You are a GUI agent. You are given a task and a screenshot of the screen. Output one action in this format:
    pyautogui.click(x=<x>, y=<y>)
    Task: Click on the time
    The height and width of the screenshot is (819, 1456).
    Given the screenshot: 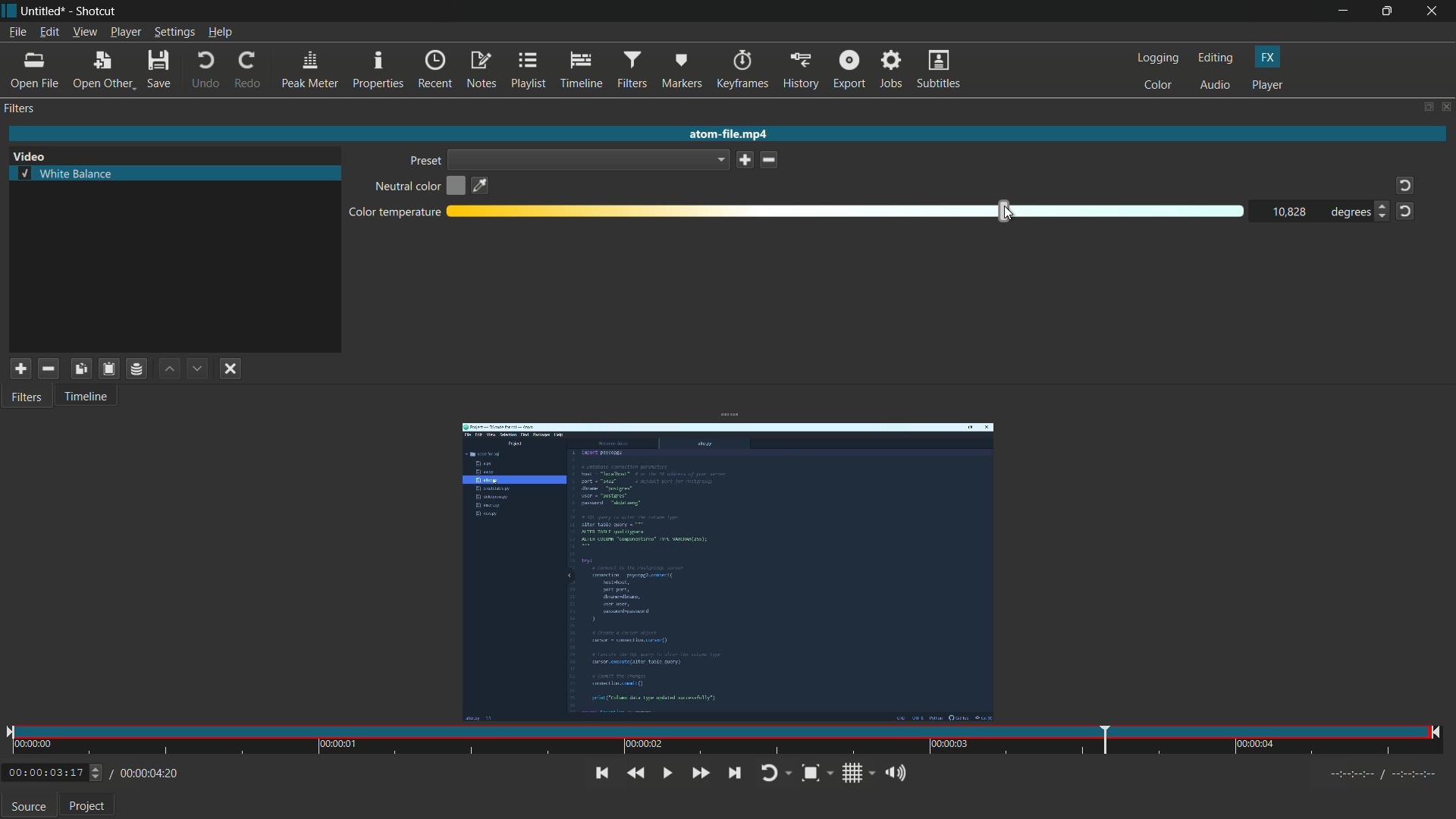 What is the action you would take?
    pyautogui.click(x=724, y=742)
    